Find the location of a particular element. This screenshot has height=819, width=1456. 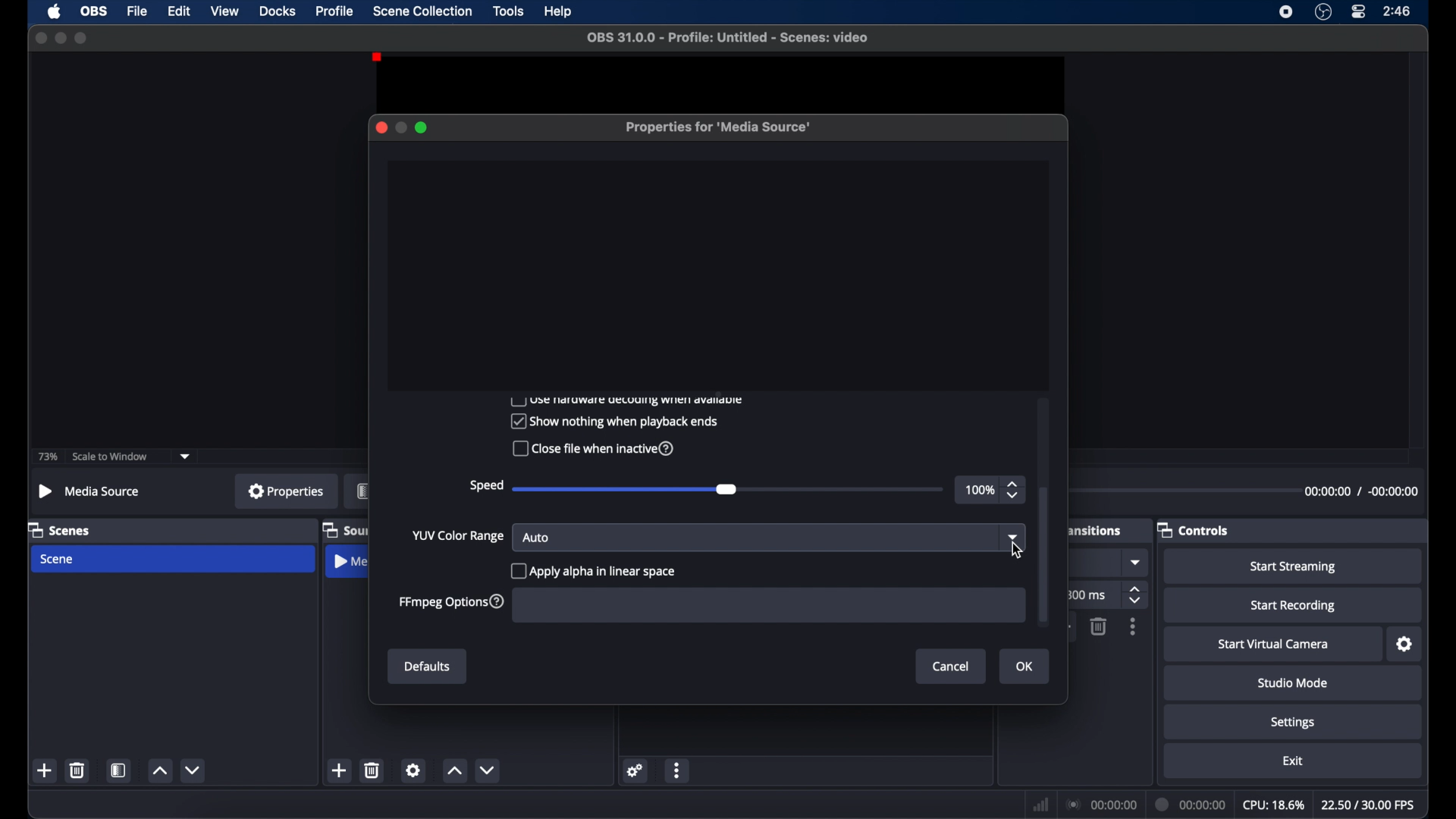

moreoptions is located at coordinates (677, 771).